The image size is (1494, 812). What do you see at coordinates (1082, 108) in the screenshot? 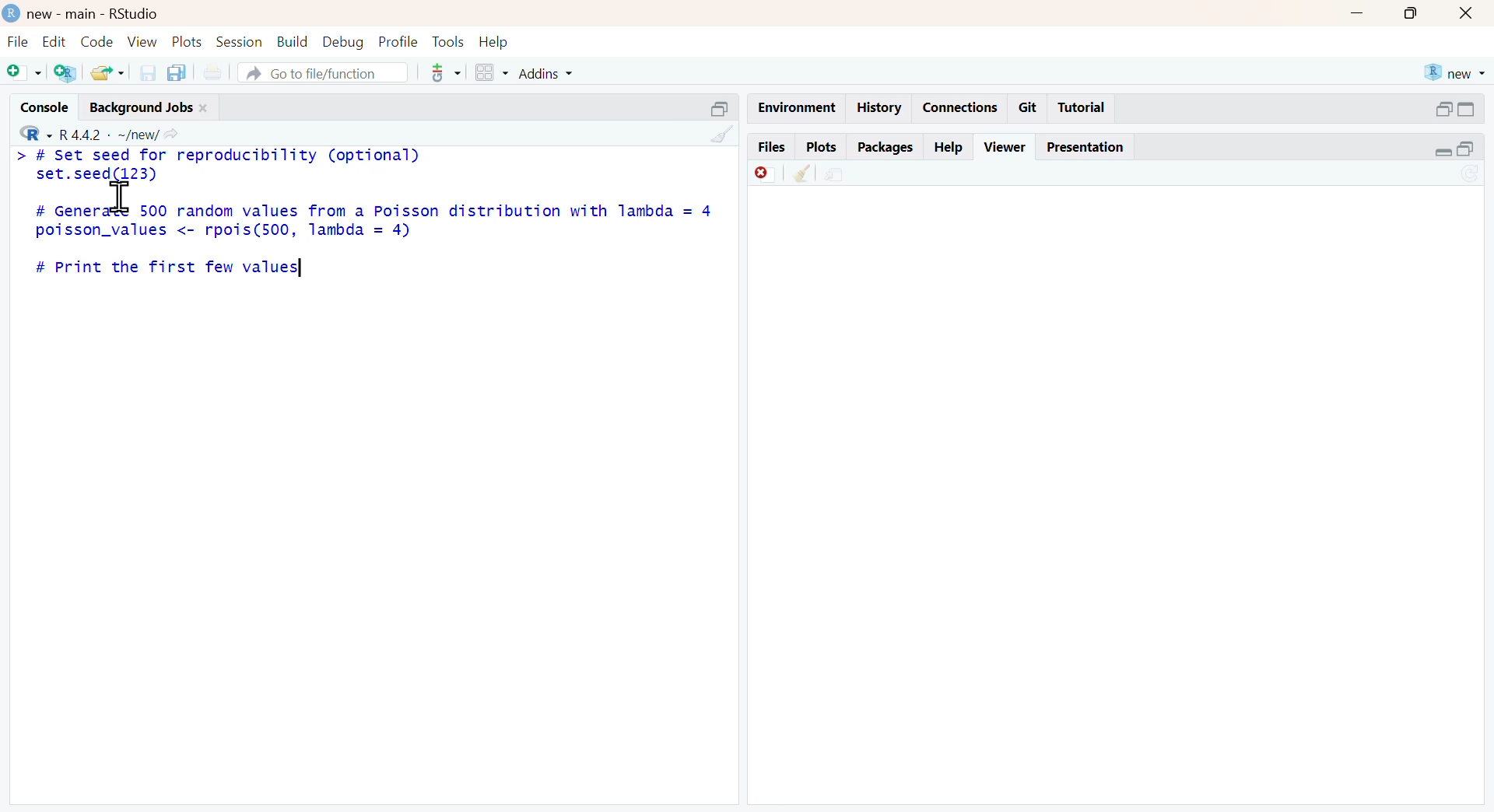
I see `tutorial` at bounding box center [1082, 108].